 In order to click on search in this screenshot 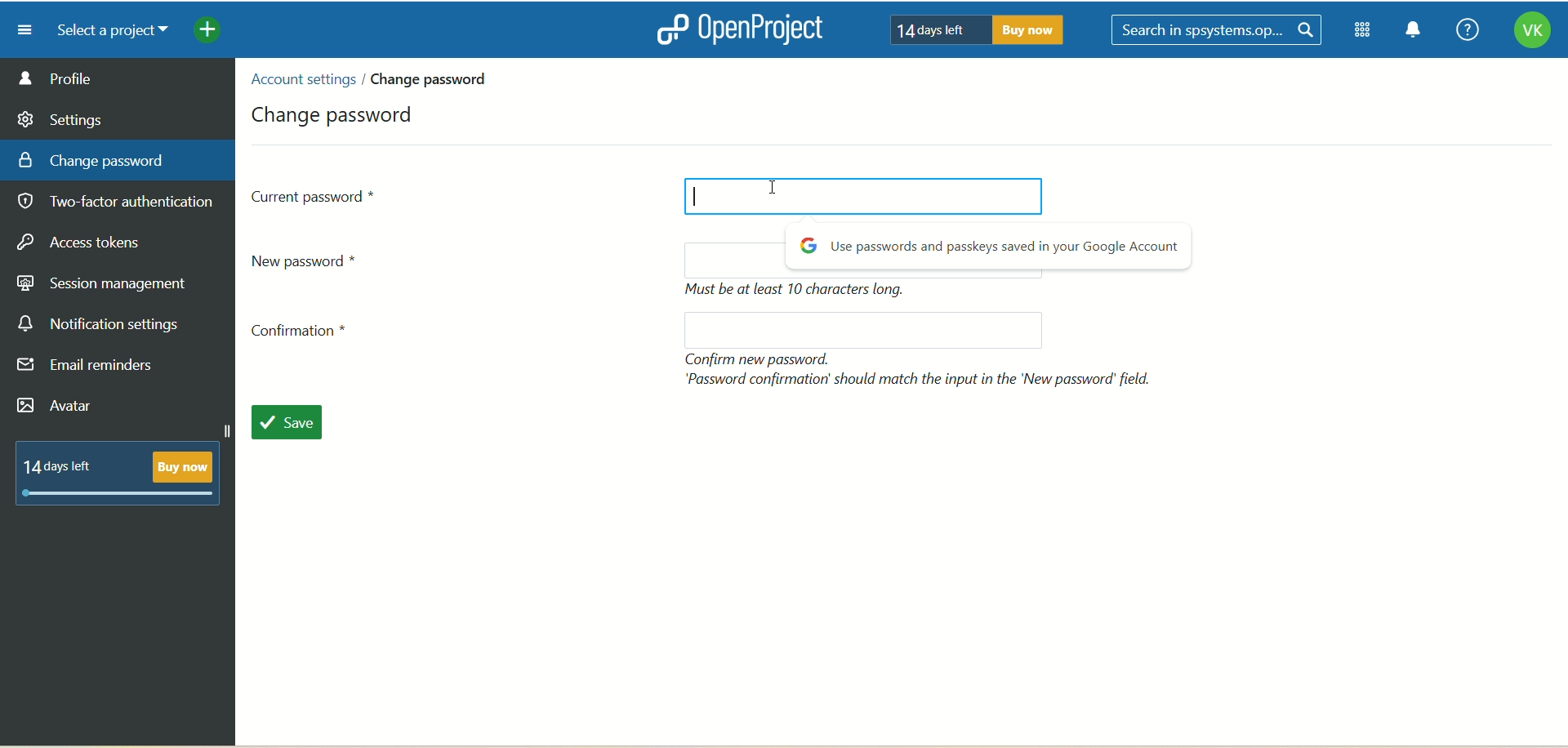, I will do `click(1219, 31)`.